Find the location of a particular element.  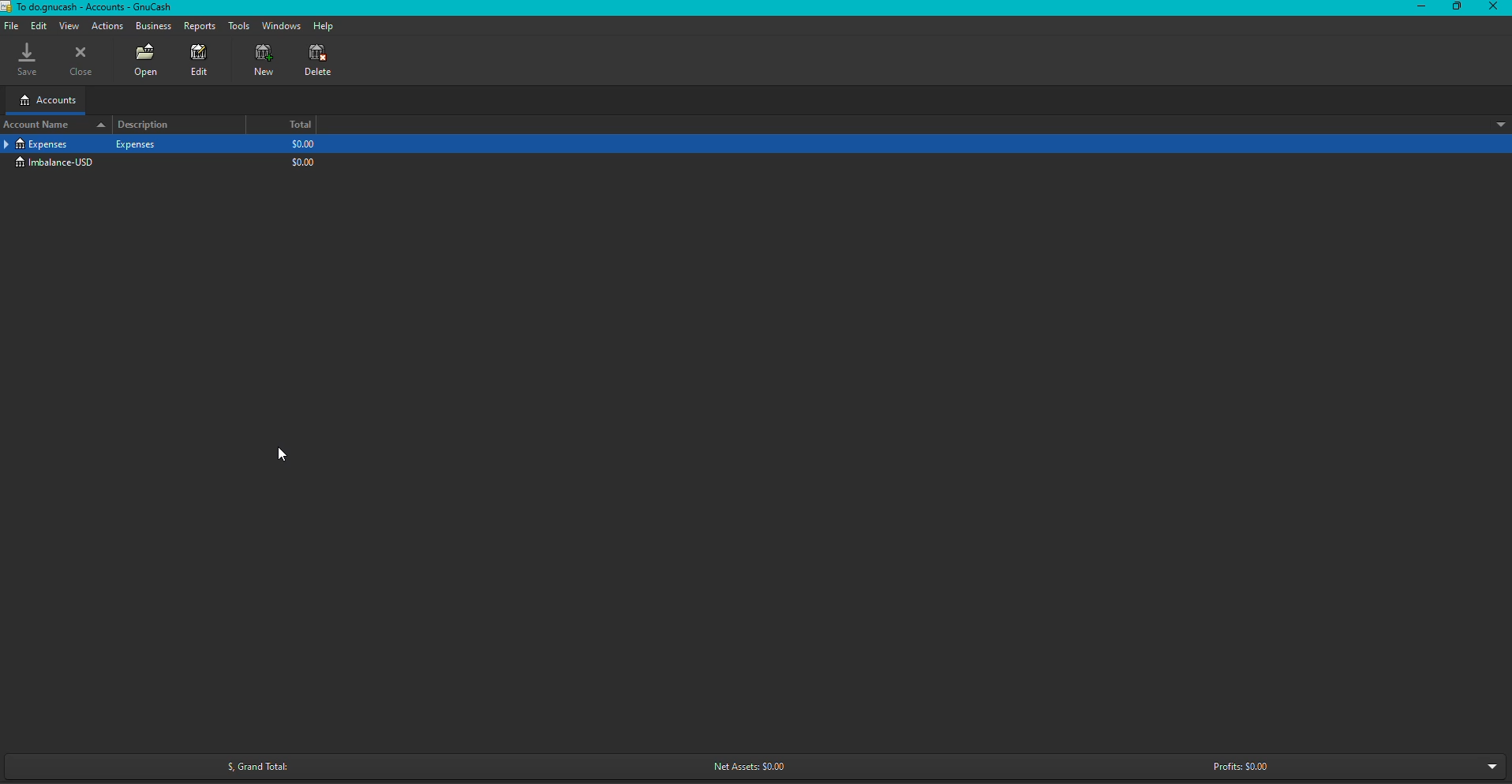

New is located at coordinates (262, 63).